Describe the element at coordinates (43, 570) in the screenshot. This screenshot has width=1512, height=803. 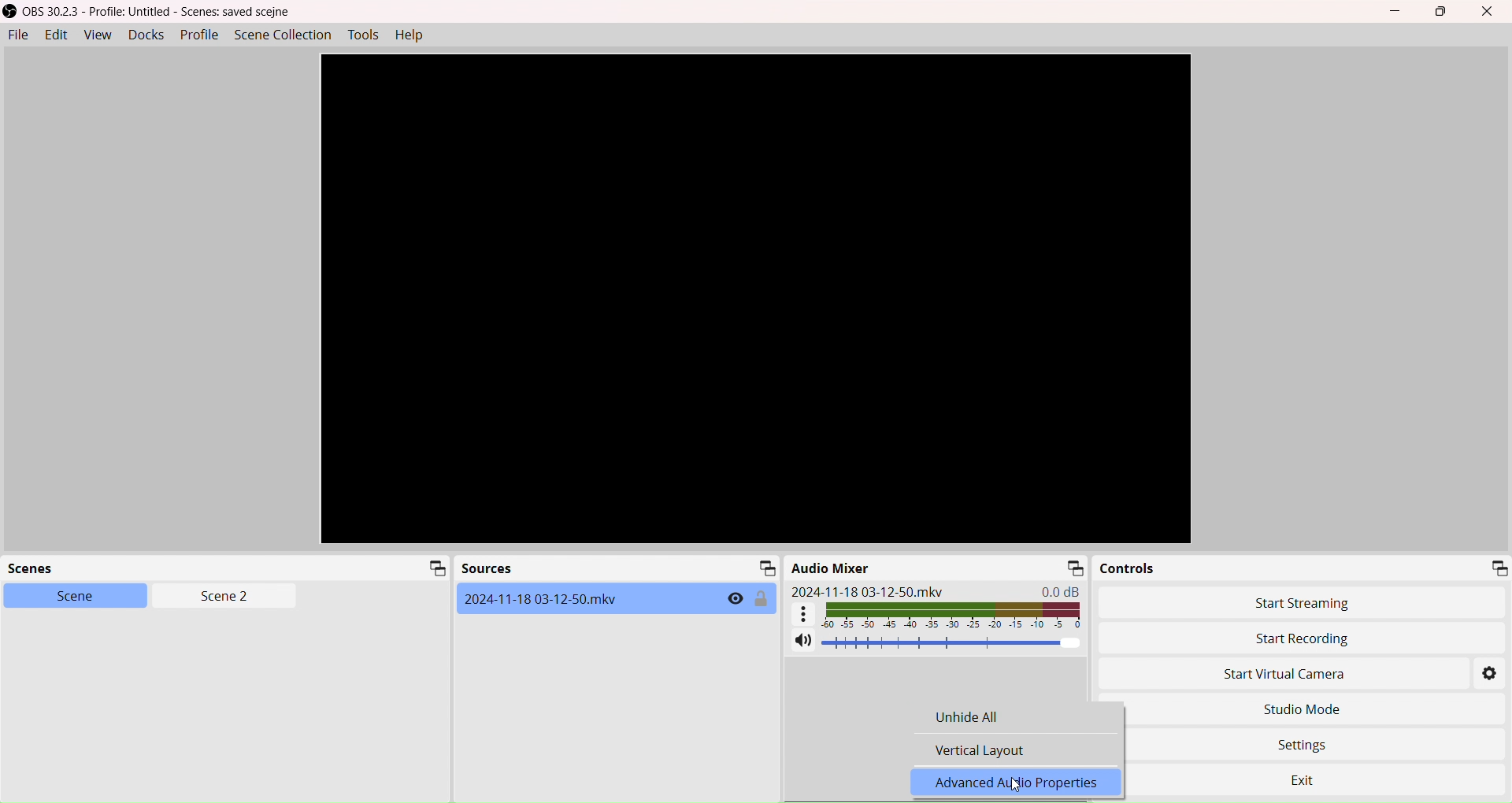
I see `Scenes` at that location.